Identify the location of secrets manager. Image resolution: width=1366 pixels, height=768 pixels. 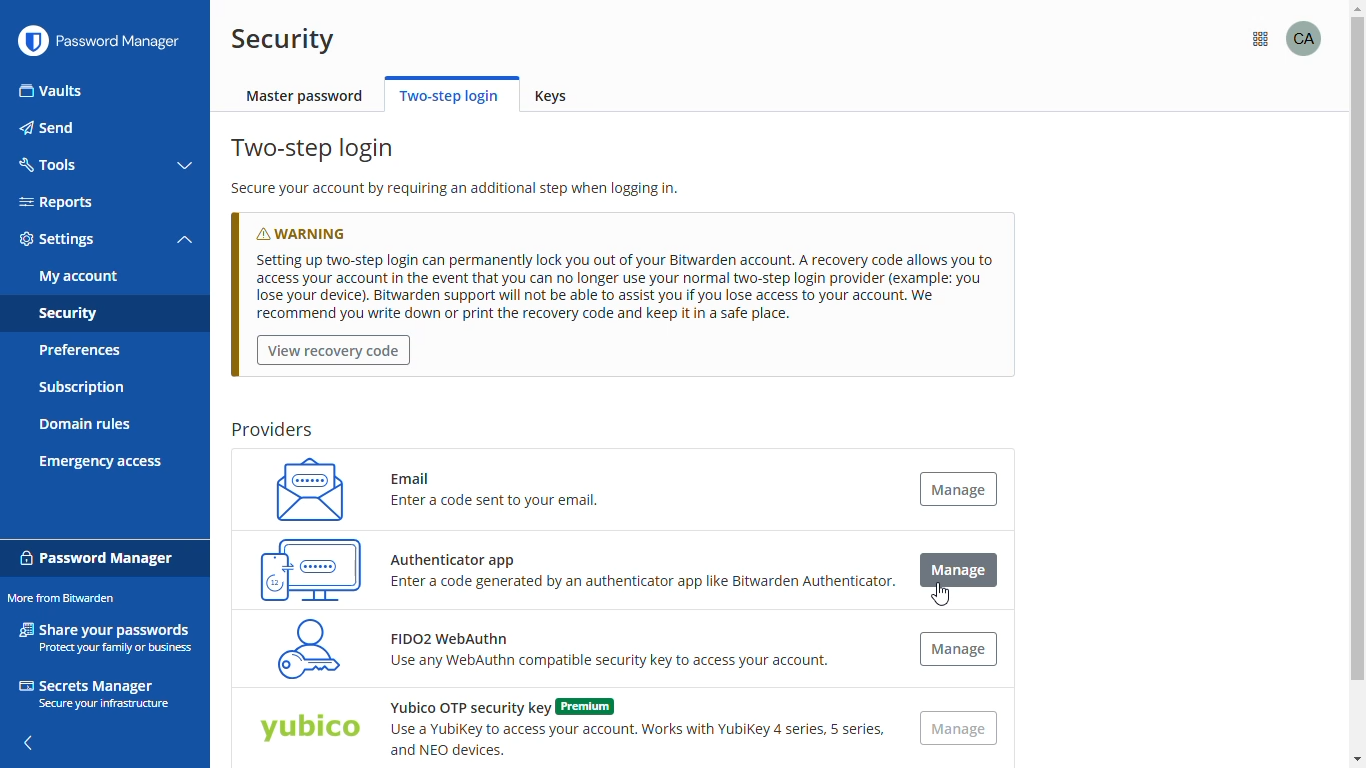
(93, 693).